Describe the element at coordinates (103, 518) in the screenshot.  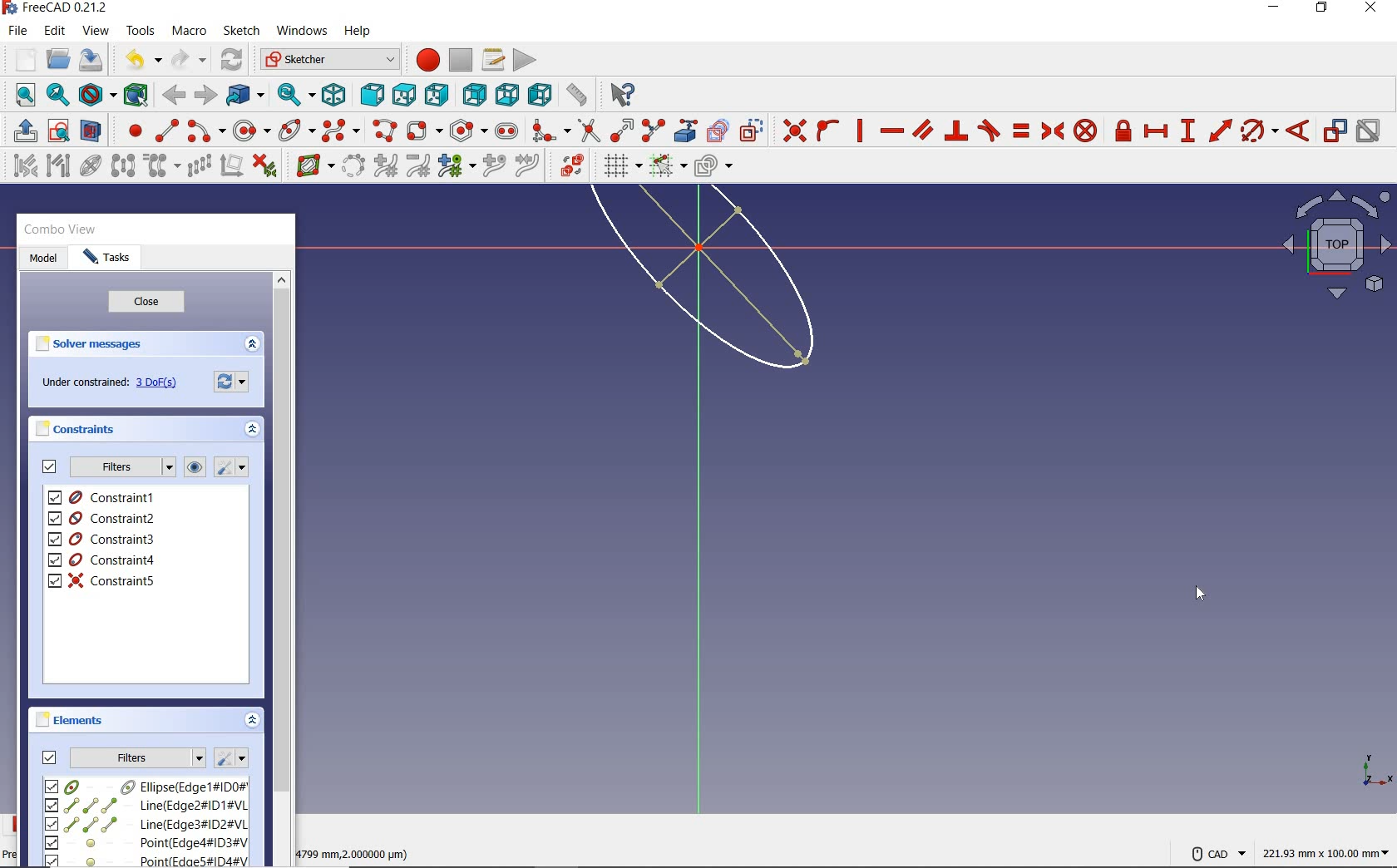
I see `constraint2` at that location.